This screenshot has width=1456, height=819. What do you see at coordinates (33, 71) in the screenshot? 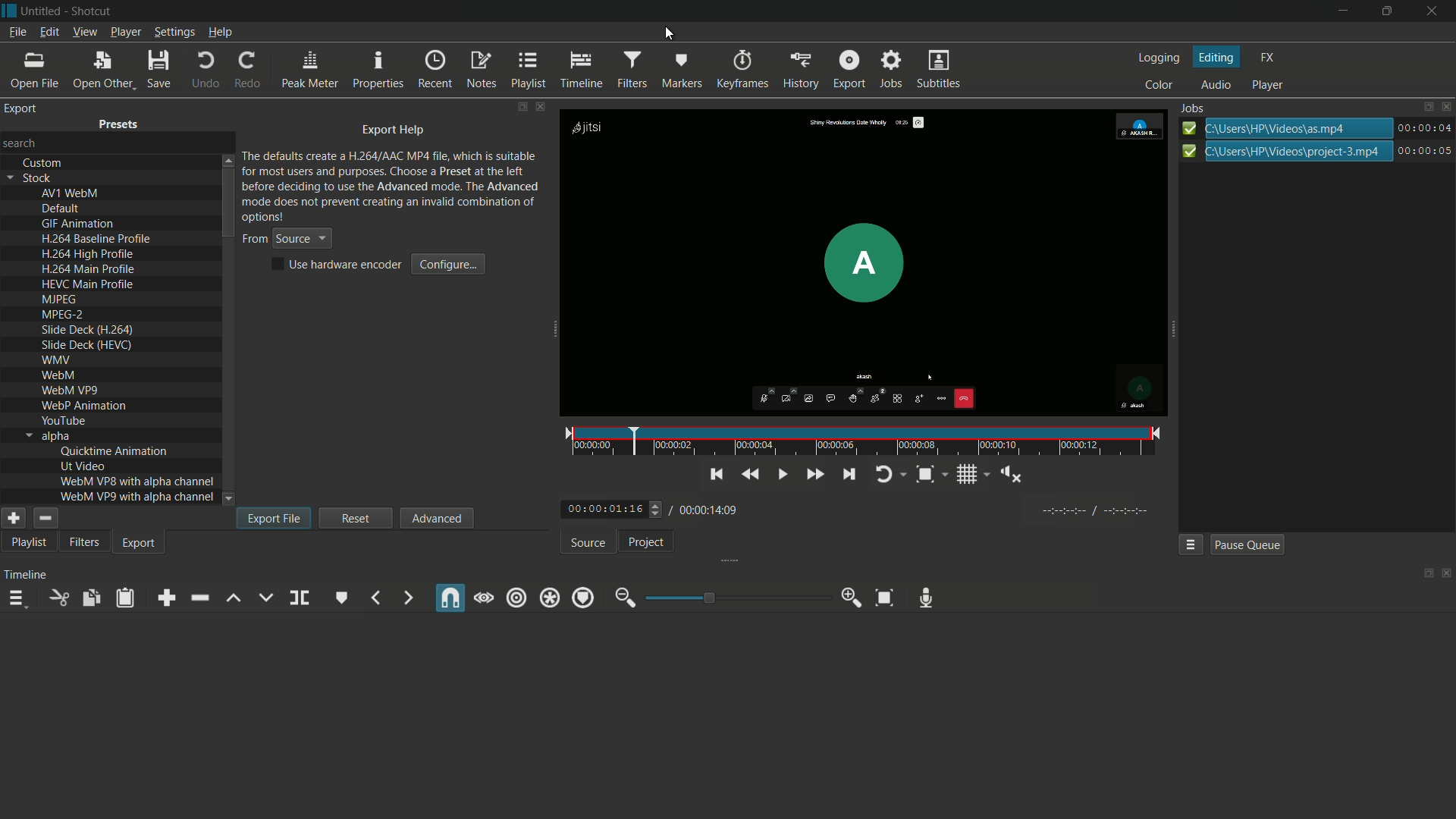
I see `open file` at bounding box center [33, 71].